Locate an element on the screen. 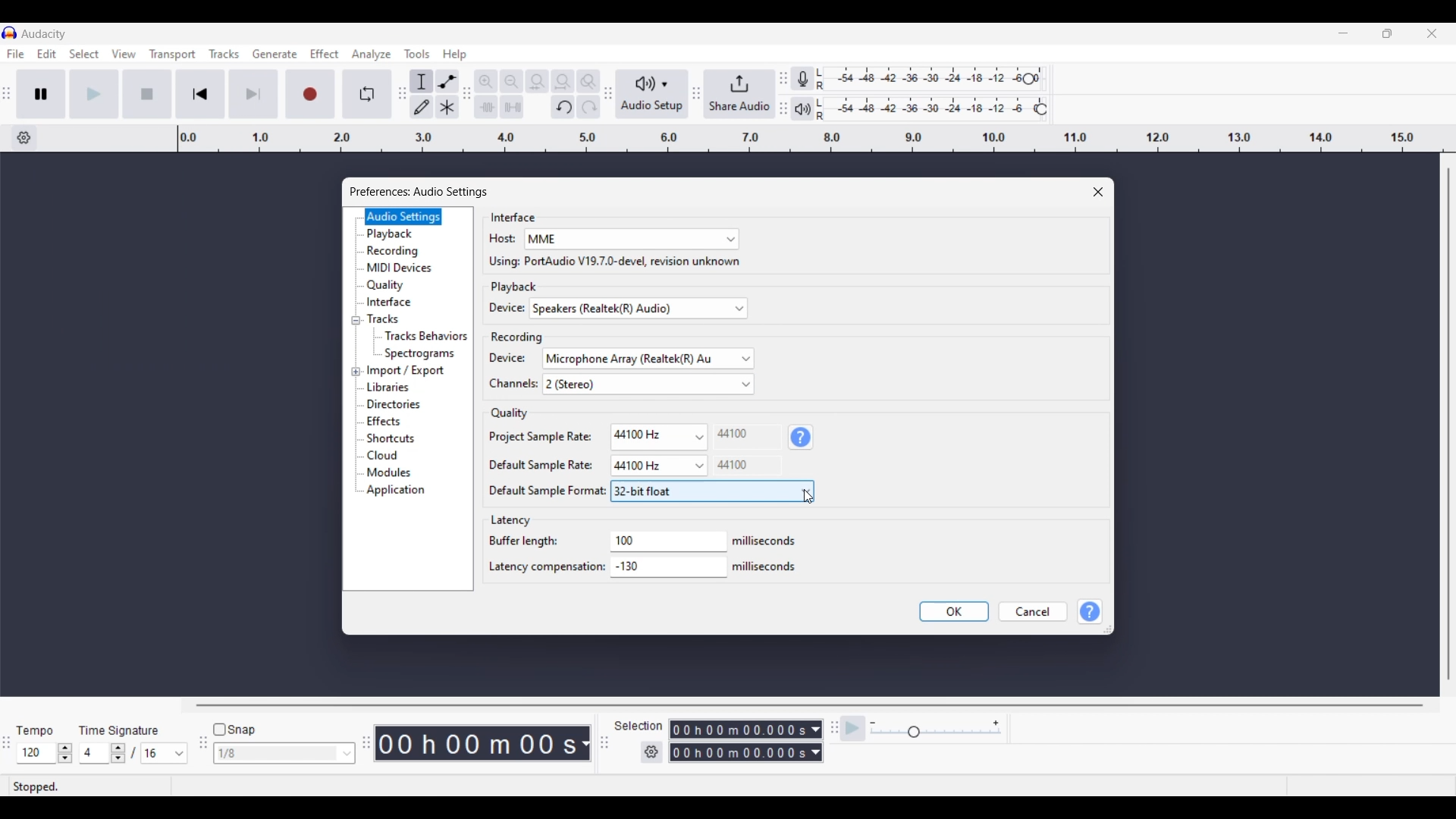 Image resolution: width=1456 pixels, height=819 pixels. Play/Play once is located at coordinates (94, 93).